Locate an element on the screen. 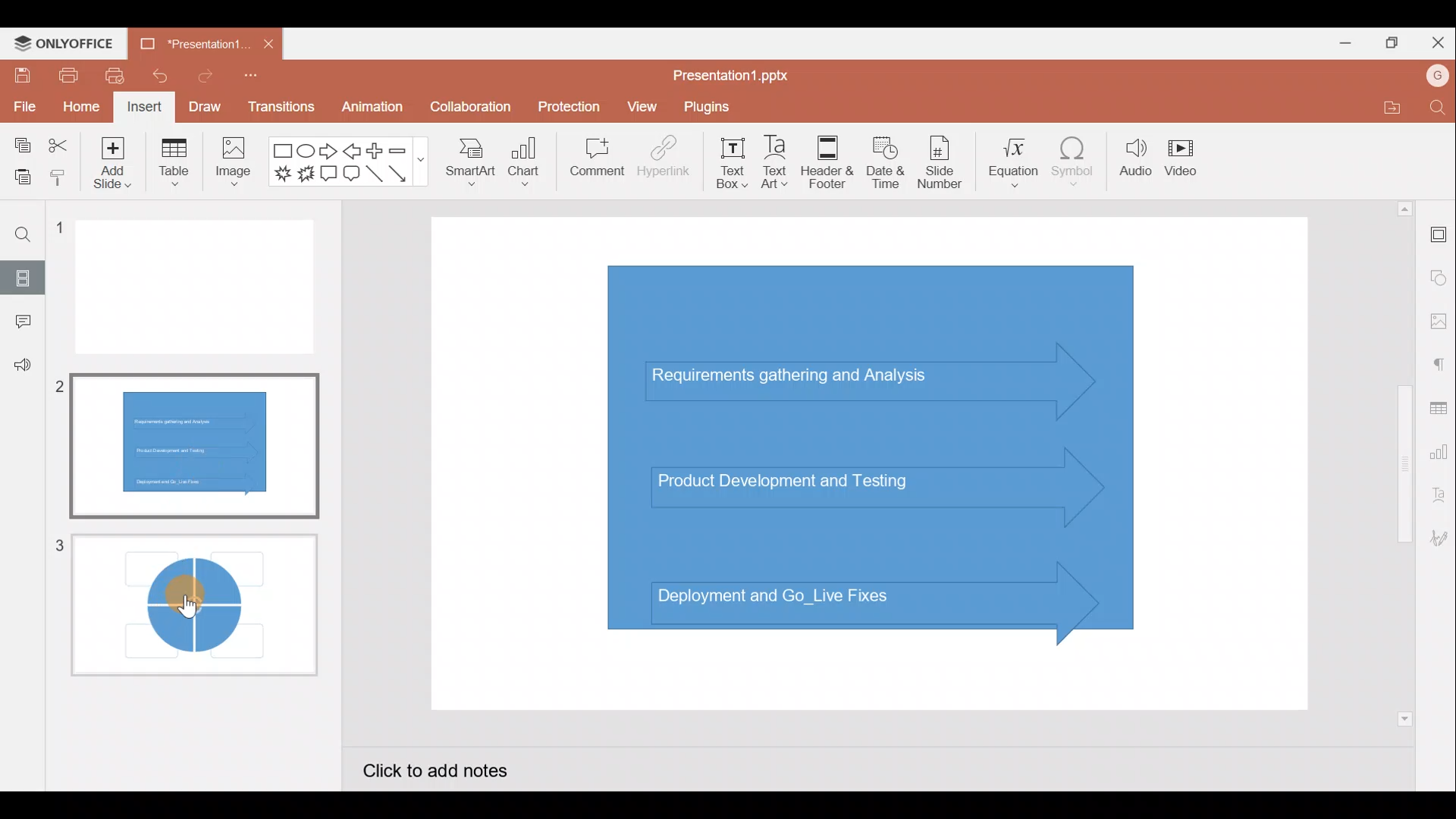 Image resolution: width=1456 pixels, height=819 pixels. Slide settings is located at coordinates (1437, 236).